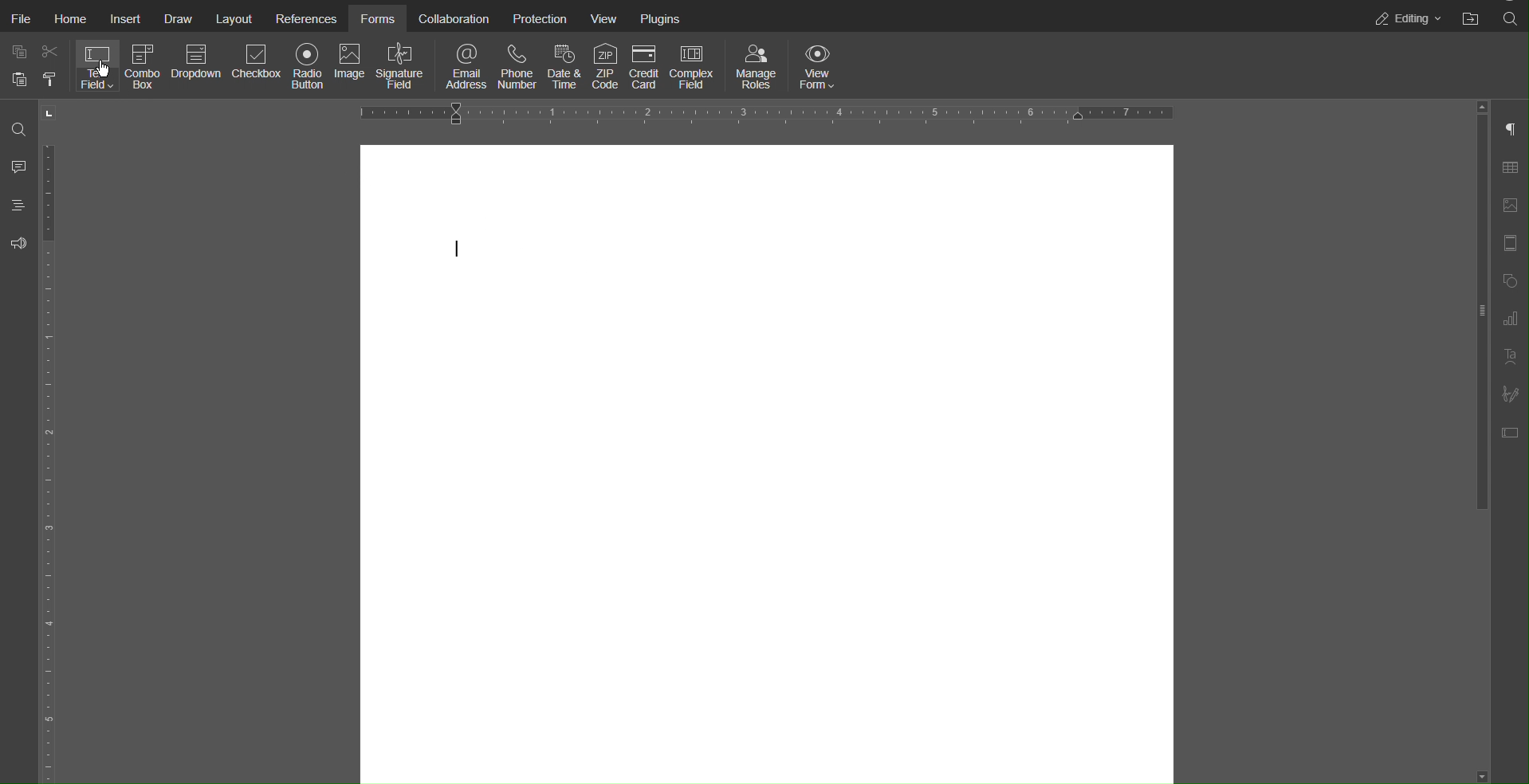 The width and height of the screenshot is (1529, 784). I want to click on View, so click(605, 19).